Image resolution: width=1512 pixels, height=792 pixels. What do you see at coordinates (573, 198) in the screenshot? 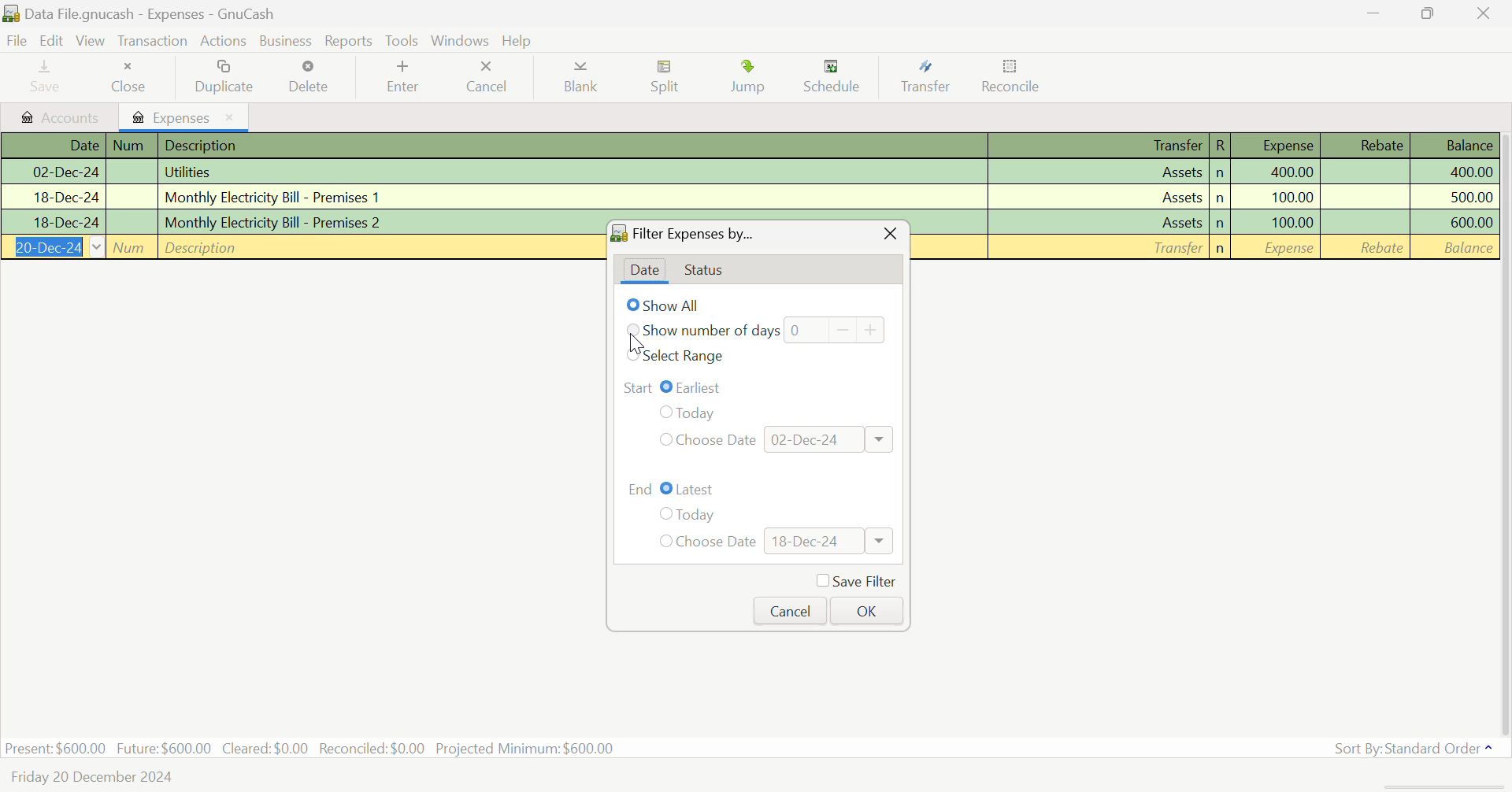
I see `Premises 1 Bill` at bounding box center [573, 198].